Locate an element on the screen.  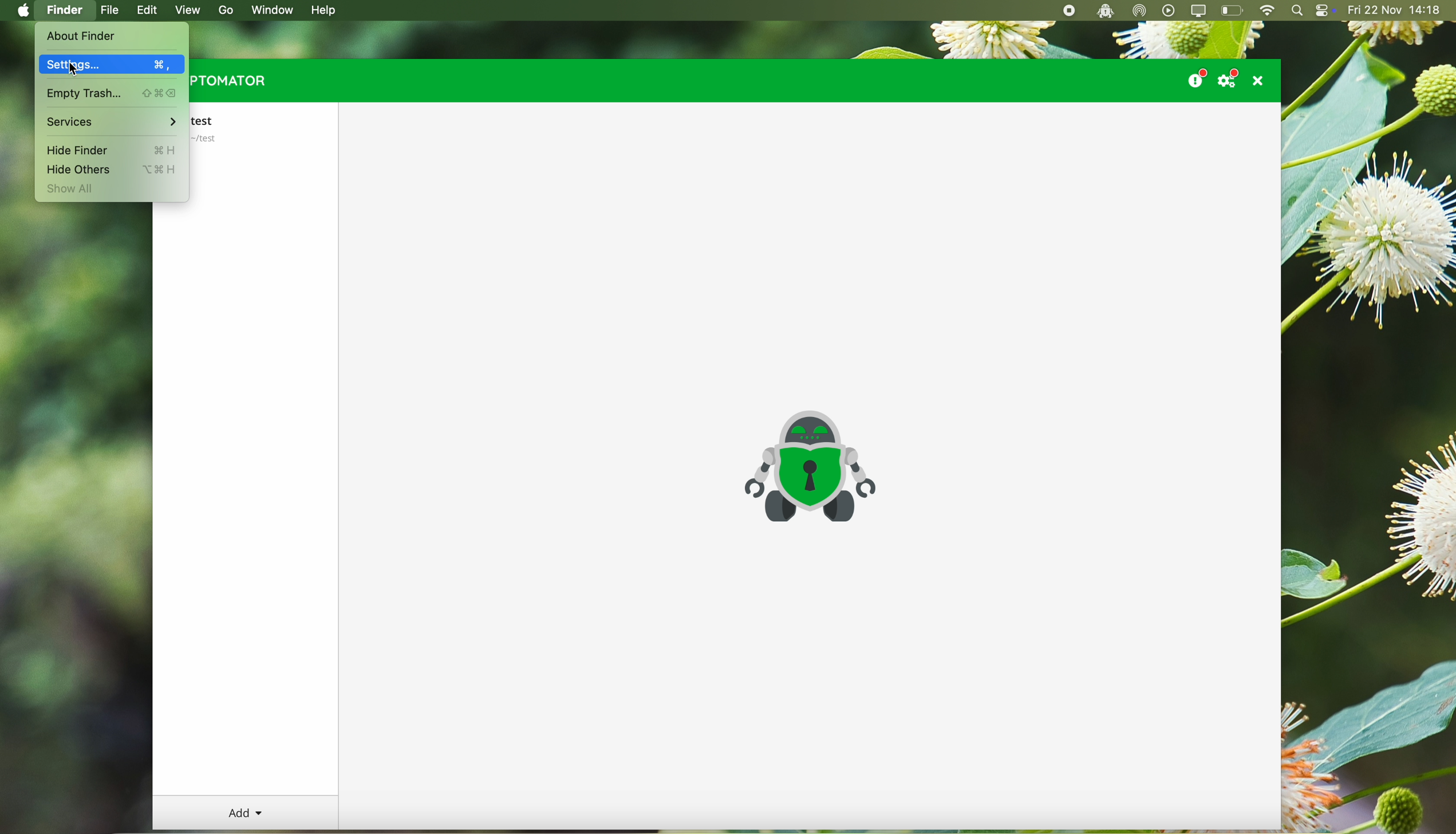
finder is located at coordinates (66, 11).